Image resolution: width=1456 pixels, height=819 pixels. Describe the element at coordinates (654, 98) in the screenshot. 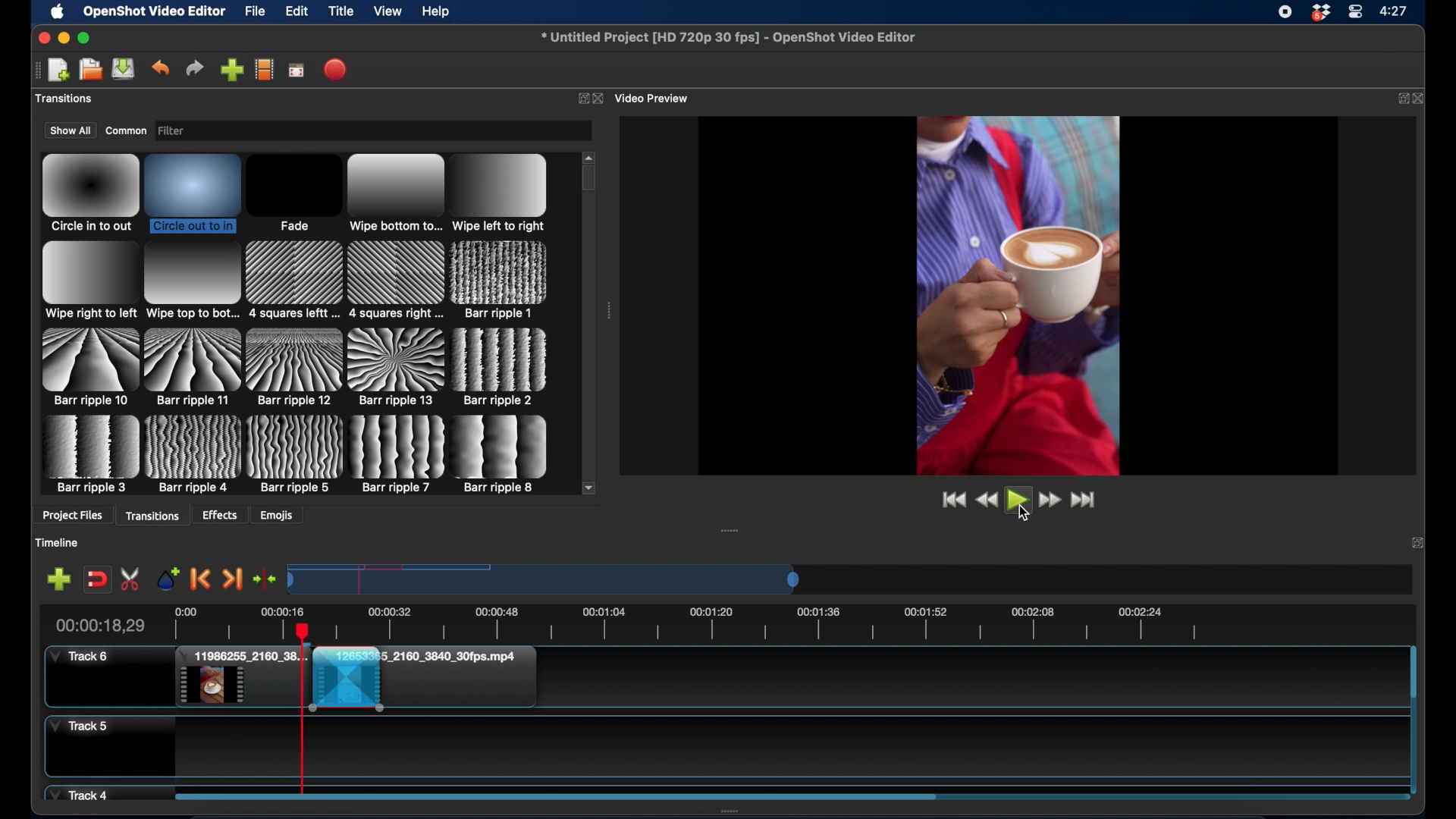

I see `video preview` at that location.